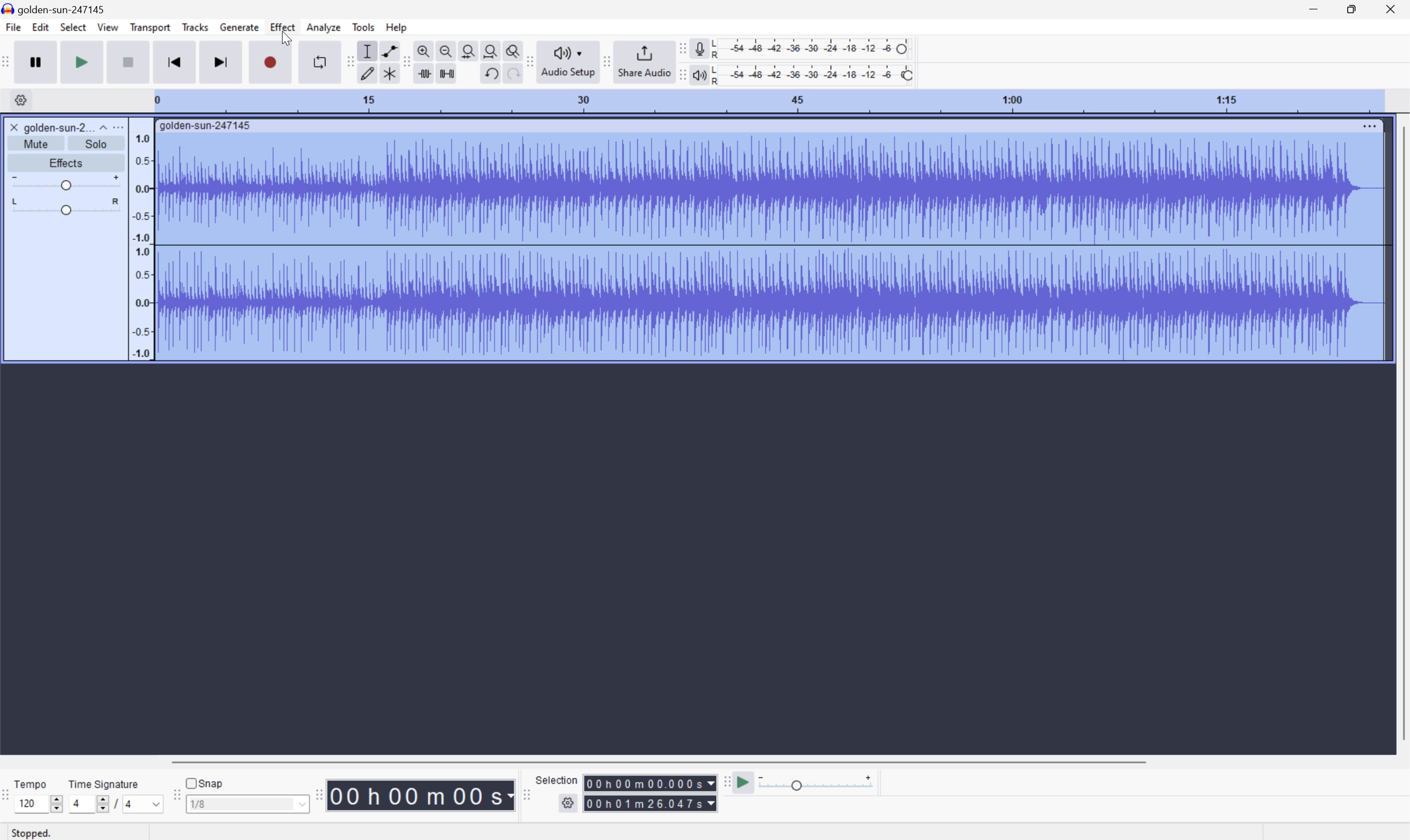  What do you see at coordinates (144, 804) in the screenshot?
I see `4` at bounding box center [144, 804].